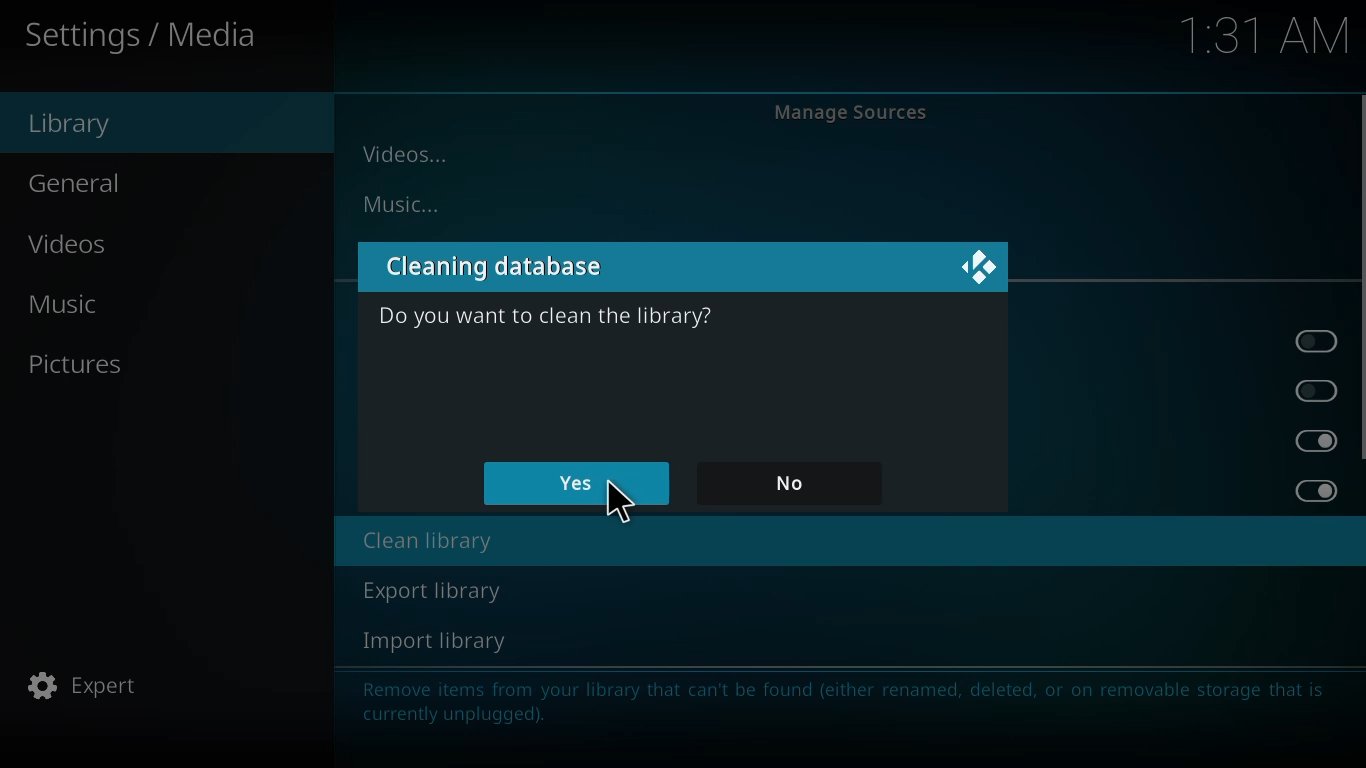 Image resolution: width=1366 pixels, height=768 pixels. I want to click on General, so click(84, 184).